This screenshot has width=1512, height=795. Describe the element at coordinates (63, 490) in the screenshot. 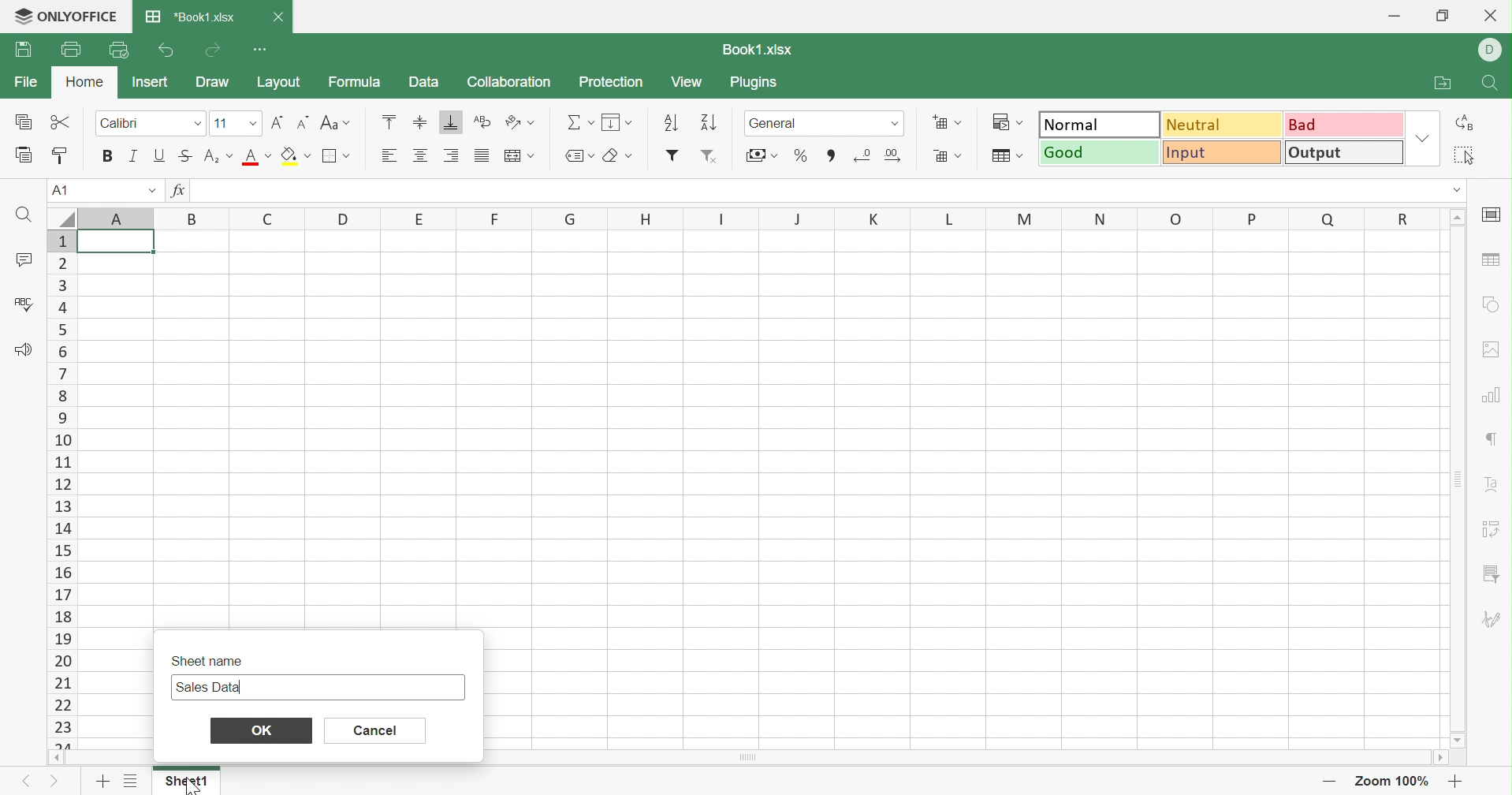

I see `Row Numbers` at that location.